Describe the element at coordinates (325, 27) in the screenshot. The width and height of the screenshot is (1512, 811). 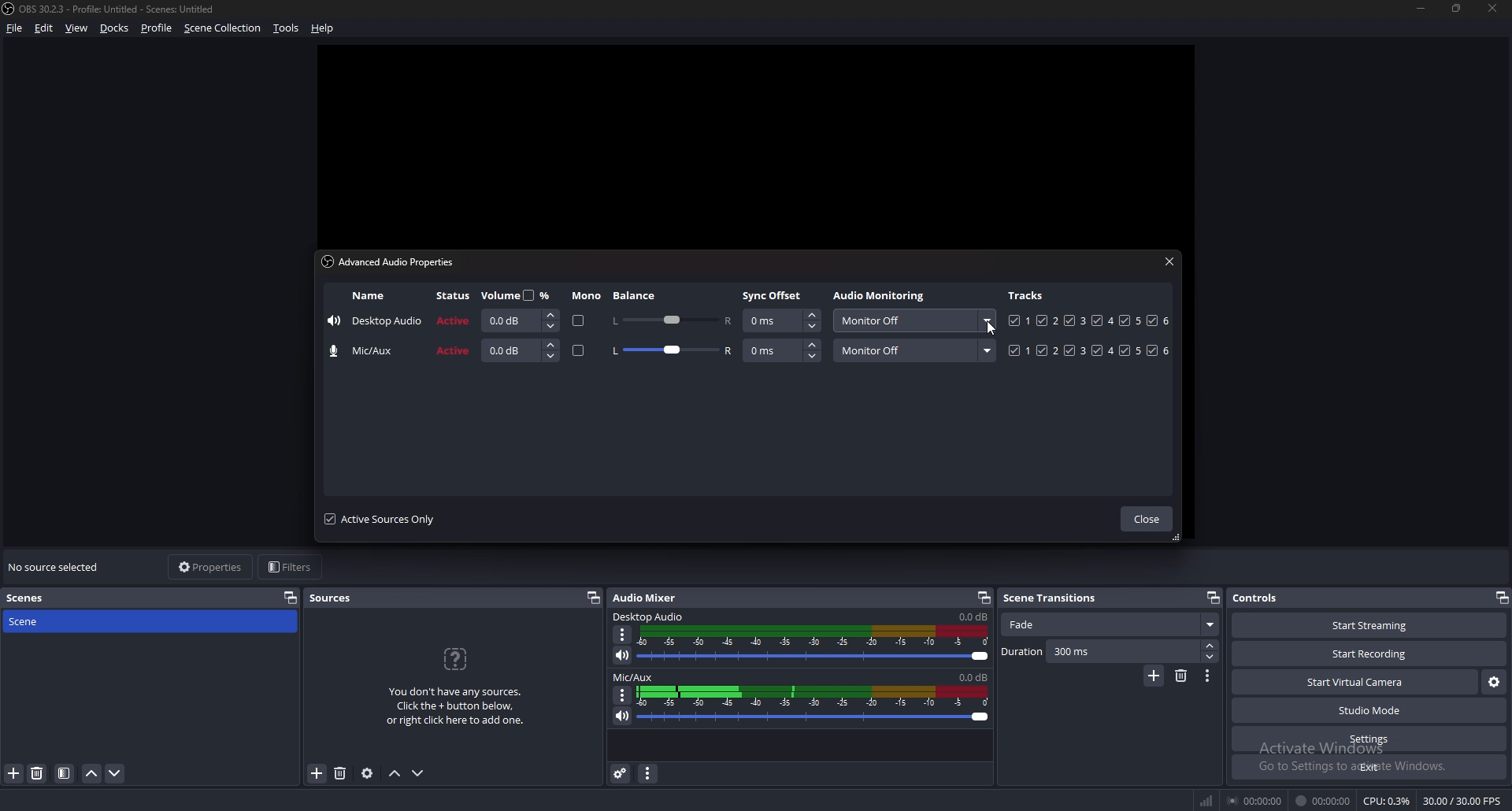
I see `help` at that location.